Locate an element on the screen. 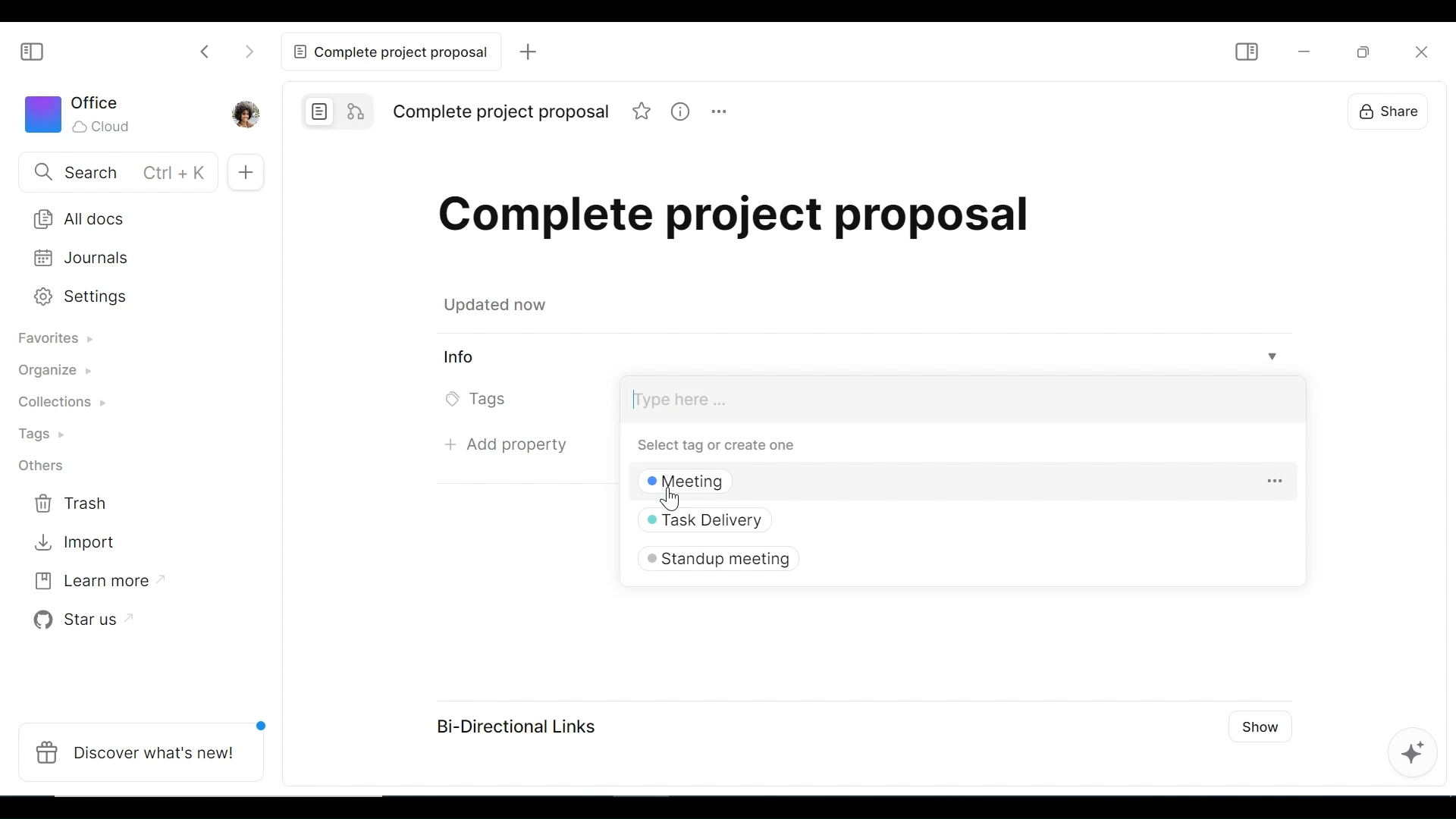  Select tag or create one is located at coordinates (713, 446).